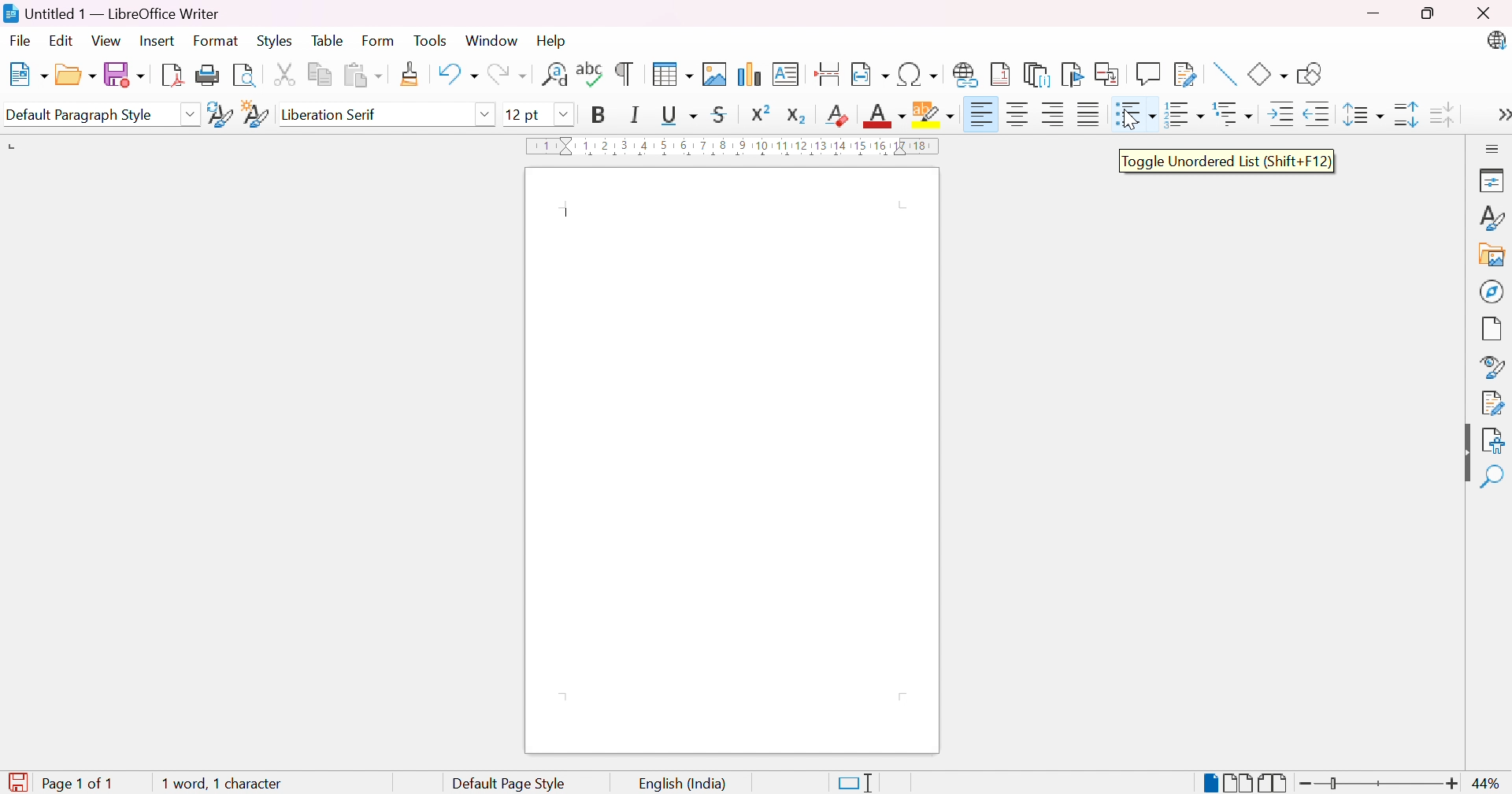  I want to click on Align center, so click(1021, 114).